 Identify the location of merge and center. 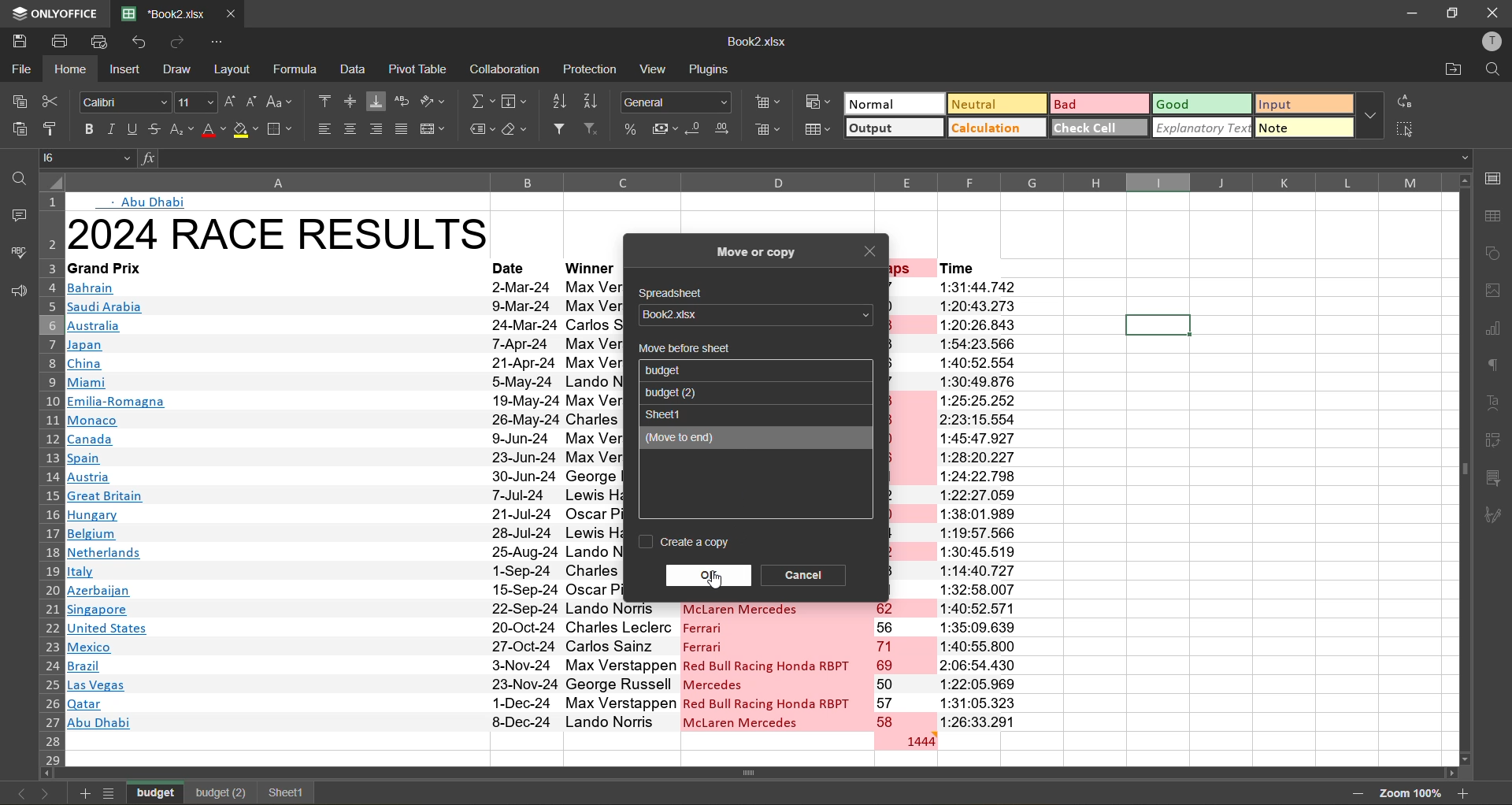
(435, 128).